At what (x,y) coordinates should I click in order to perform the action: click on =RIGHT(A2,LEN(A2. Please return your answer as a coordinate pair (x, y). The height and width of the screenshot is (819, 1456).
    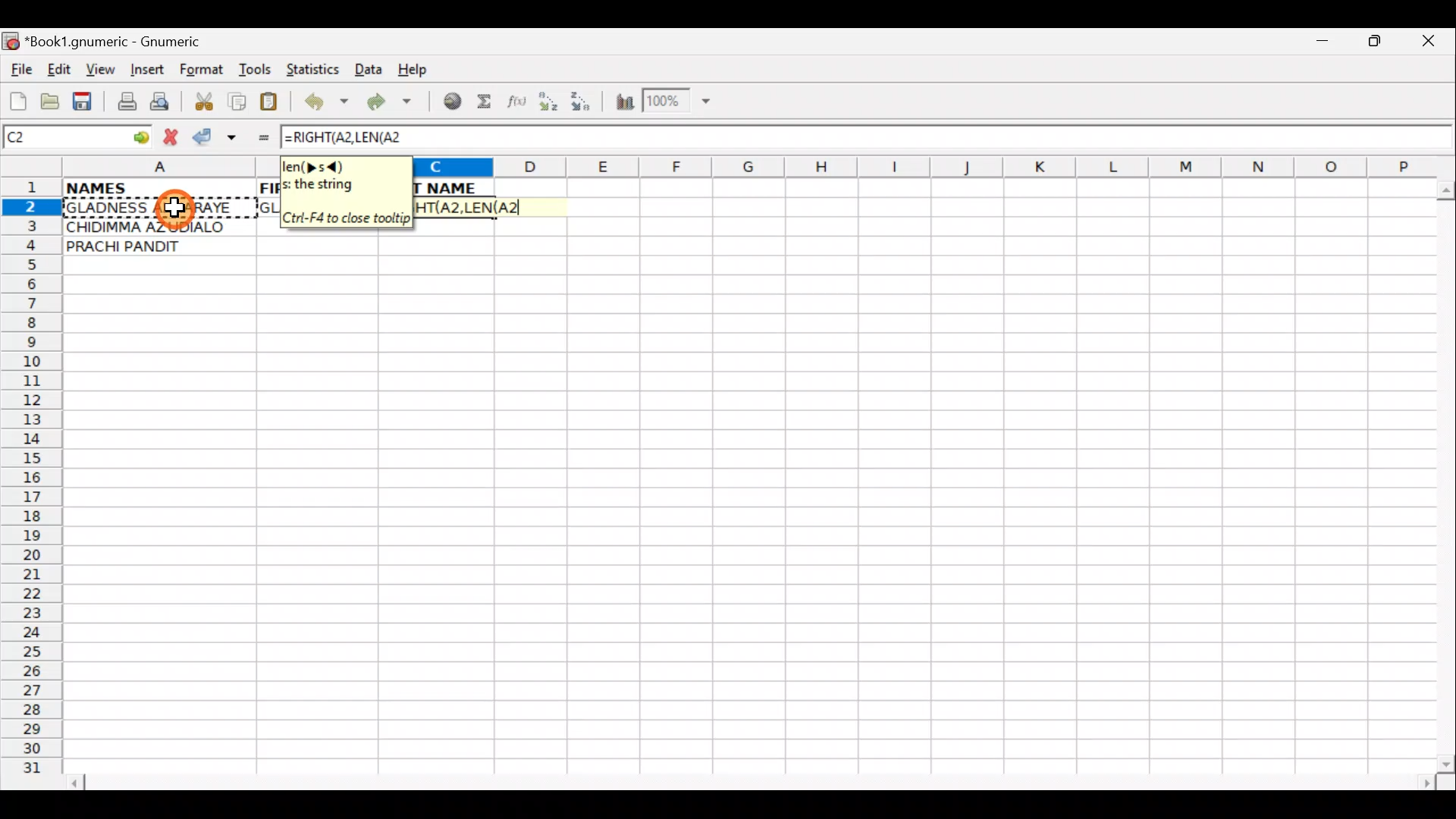
    Looking at the image, I should click on (341, 138).